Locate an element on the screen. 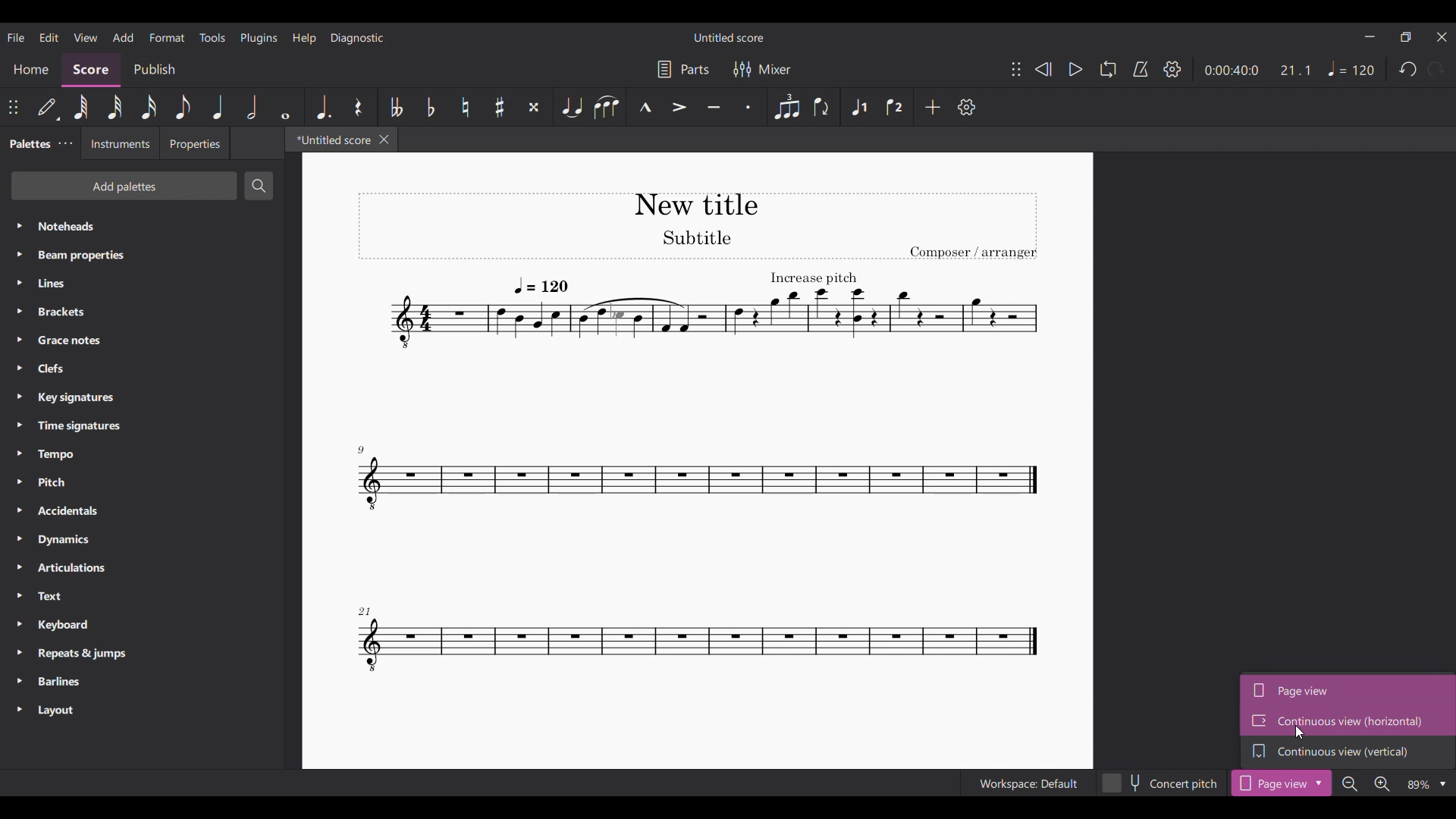  Key signatures is located at coordinates (143, 397).